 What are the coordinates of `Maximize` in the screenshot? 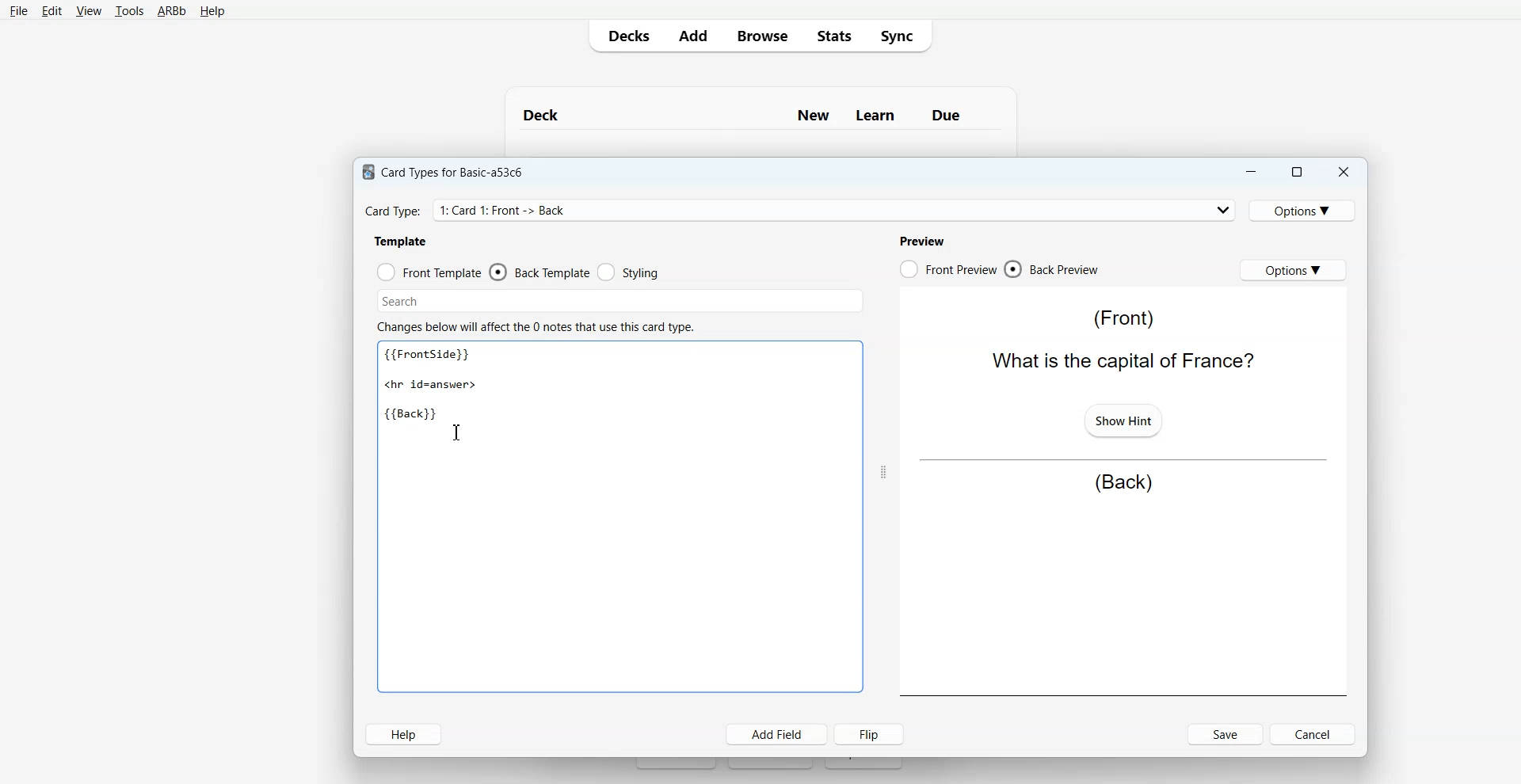 It's located at (1295, 172).